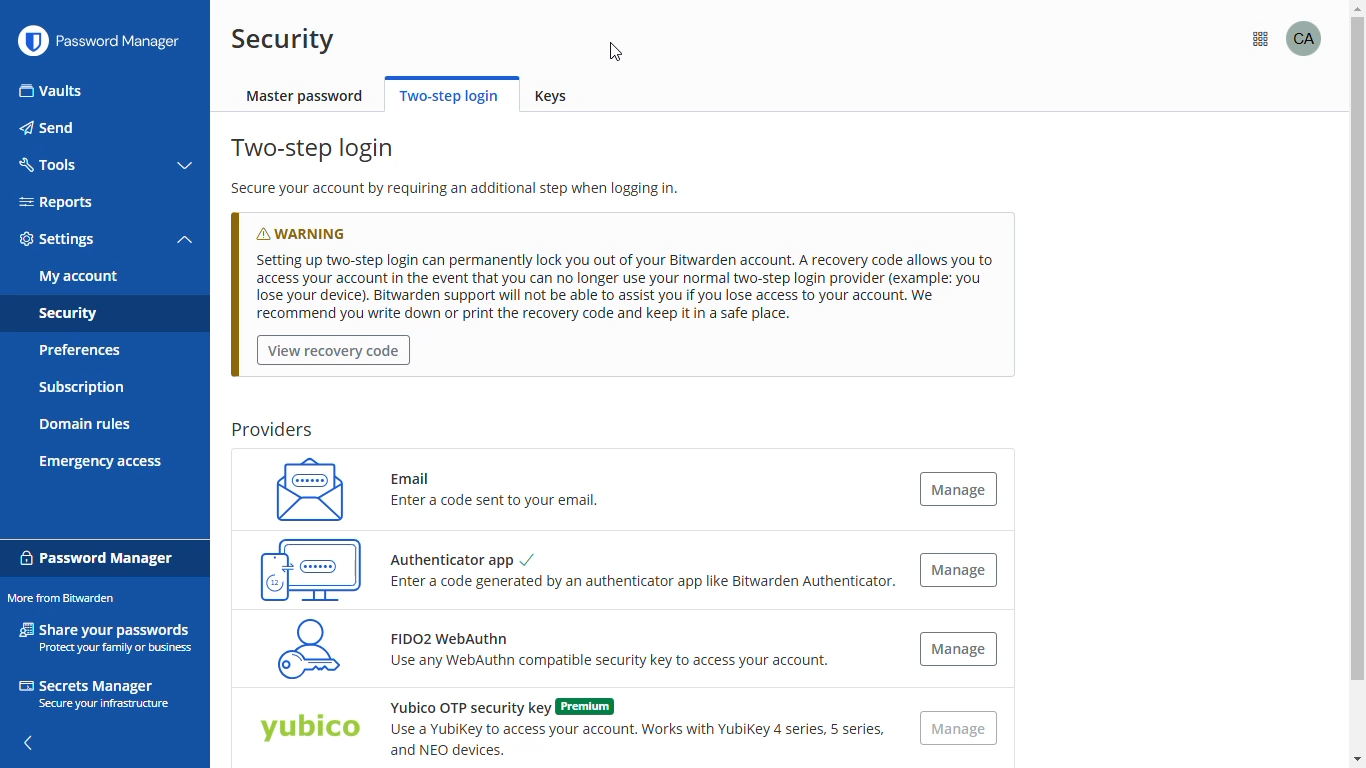  I want to click on two-factor authentication enabled, so click(311, 568).